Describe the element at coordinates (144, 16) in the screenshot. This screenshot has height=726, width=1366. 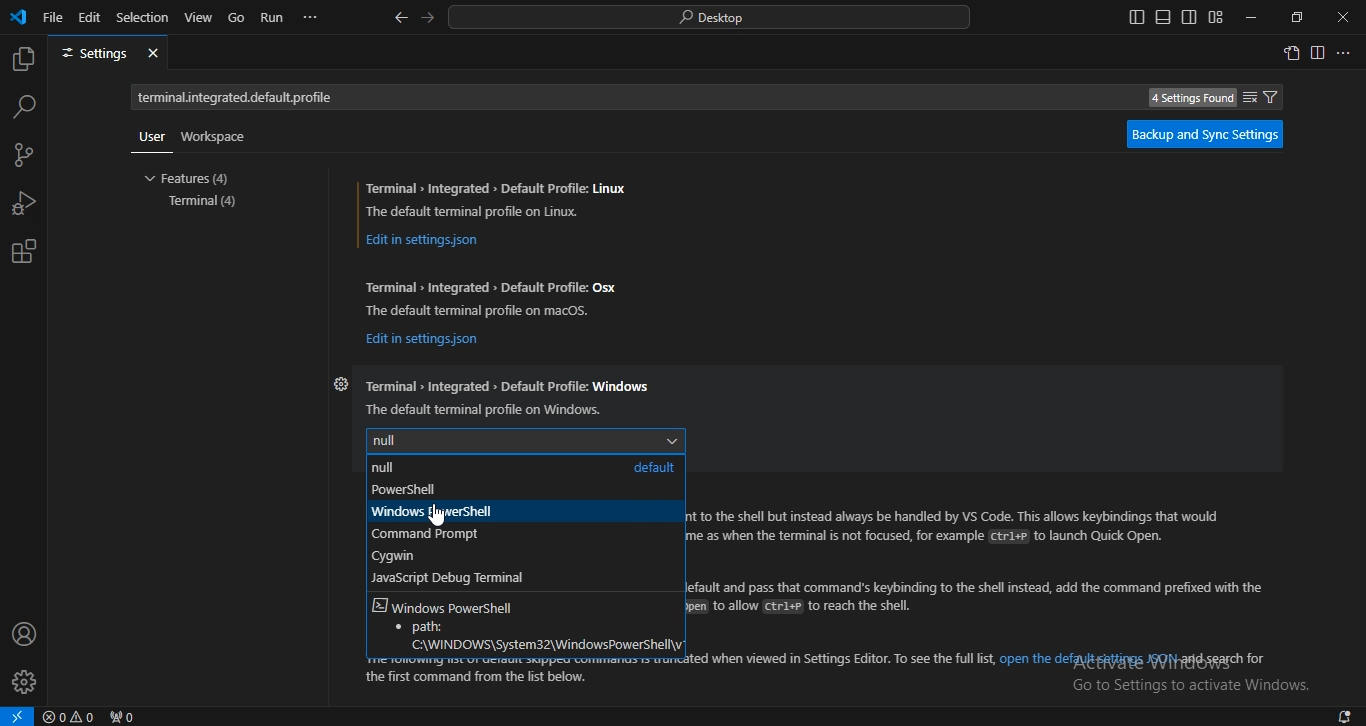
I see `selection` at that location.